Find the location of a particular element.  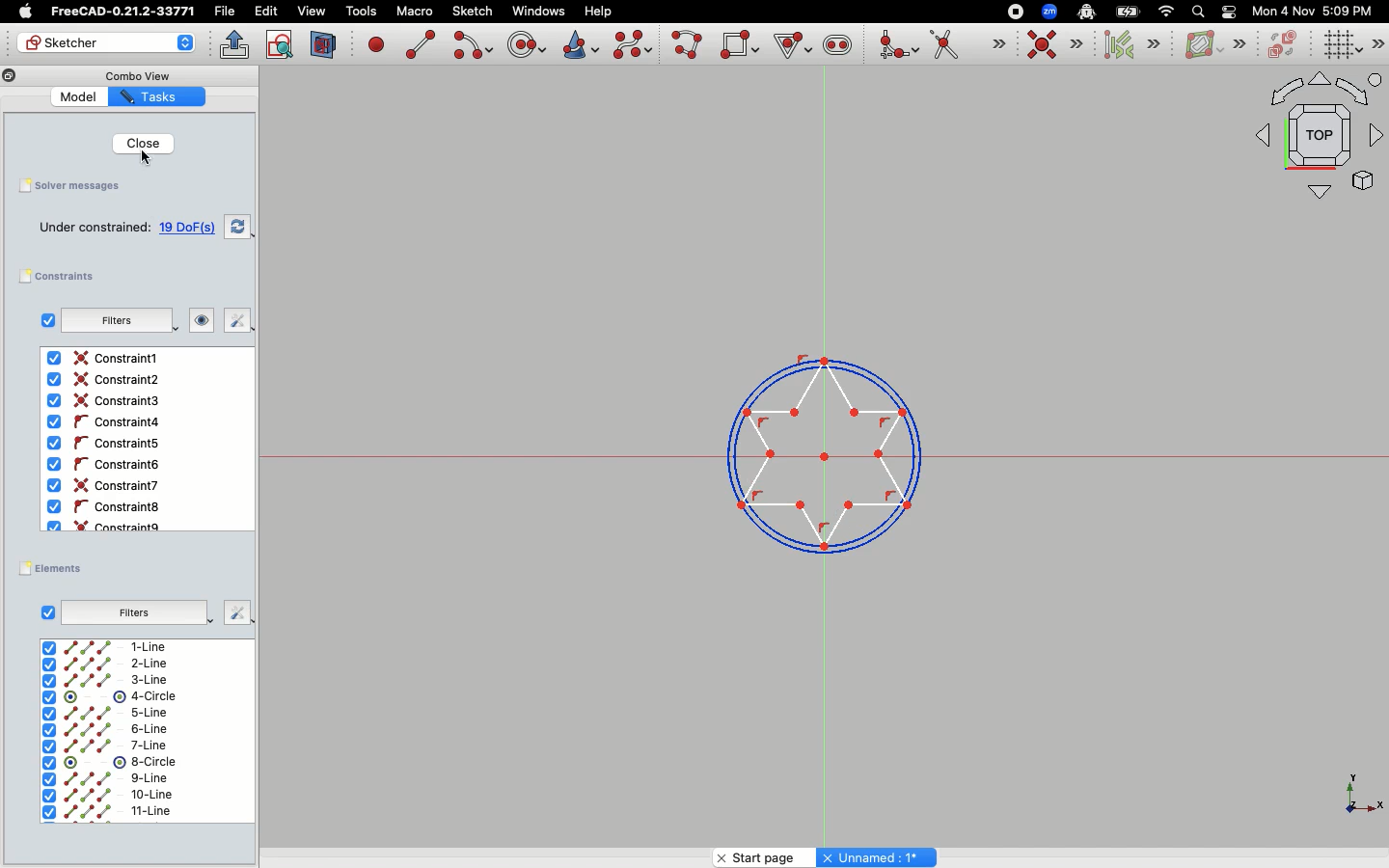

Create Regular Polygon is located at coordinates (791, 46).